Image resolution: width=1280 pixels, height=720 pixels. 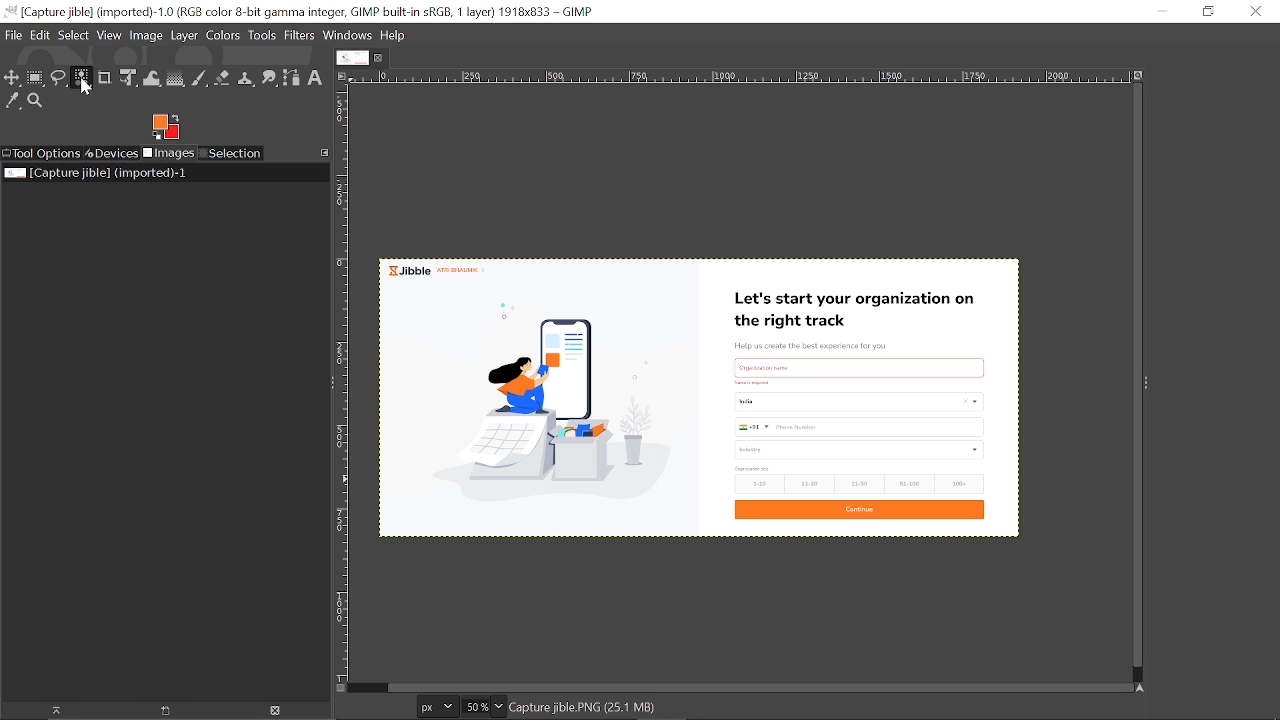 I want to click on Vertical label, so click(x=346, y=384).